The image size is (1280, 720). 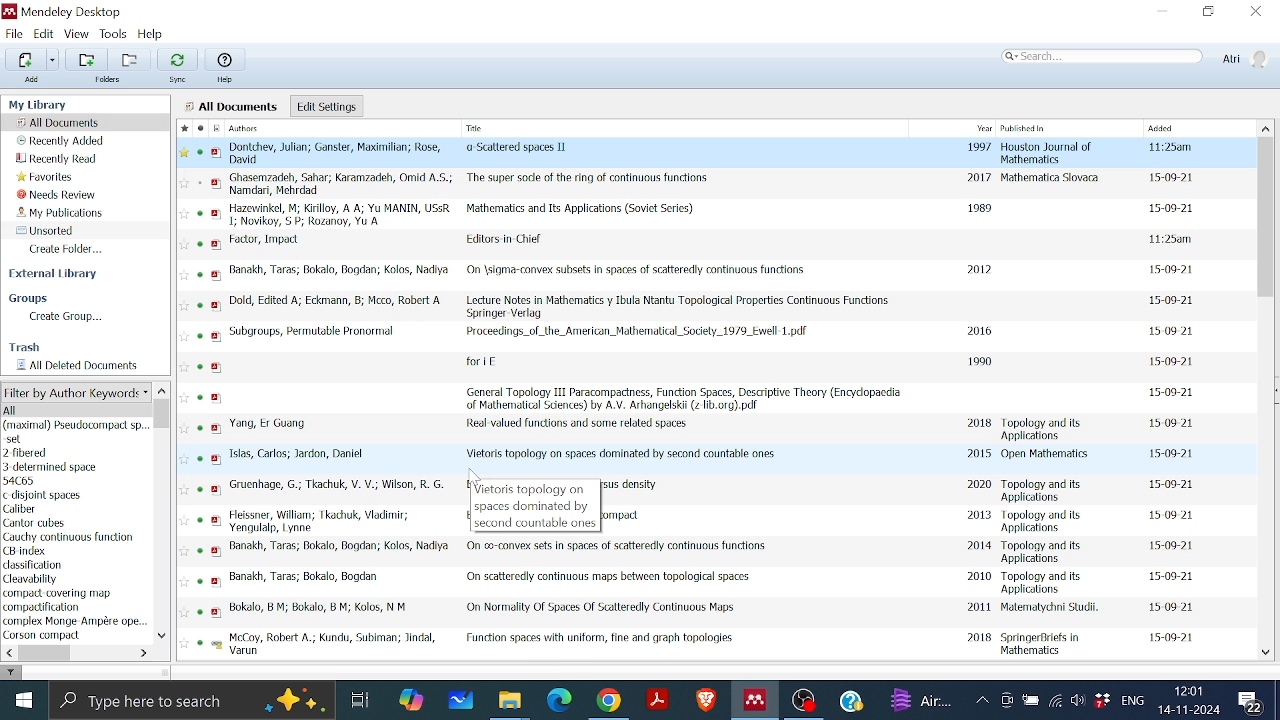 I want to click on read status, so click(x=204, y=580).